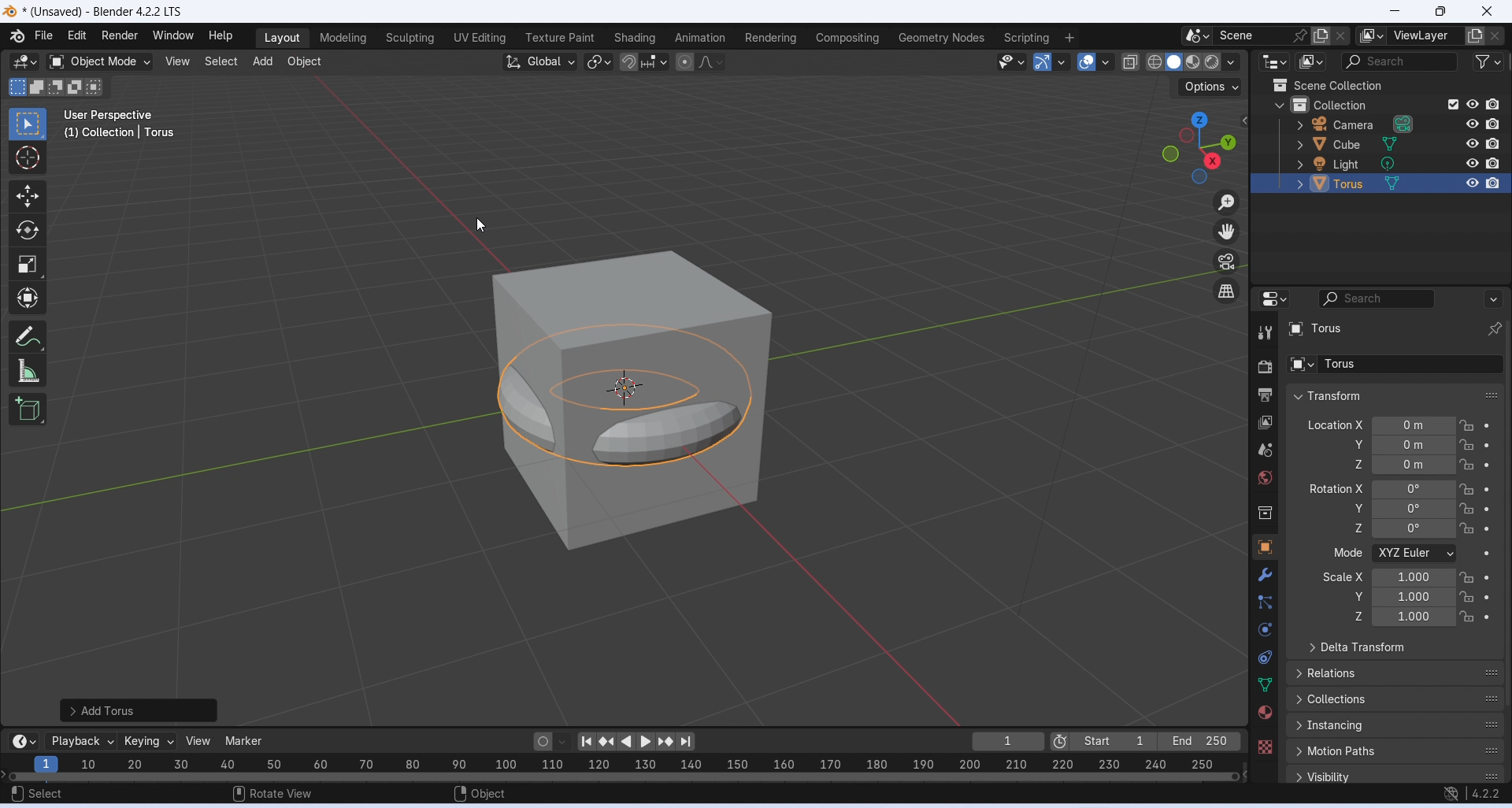 The width and height of the screenshot is (1512, 808). I want to click on Light layer, so click(1395, 163).